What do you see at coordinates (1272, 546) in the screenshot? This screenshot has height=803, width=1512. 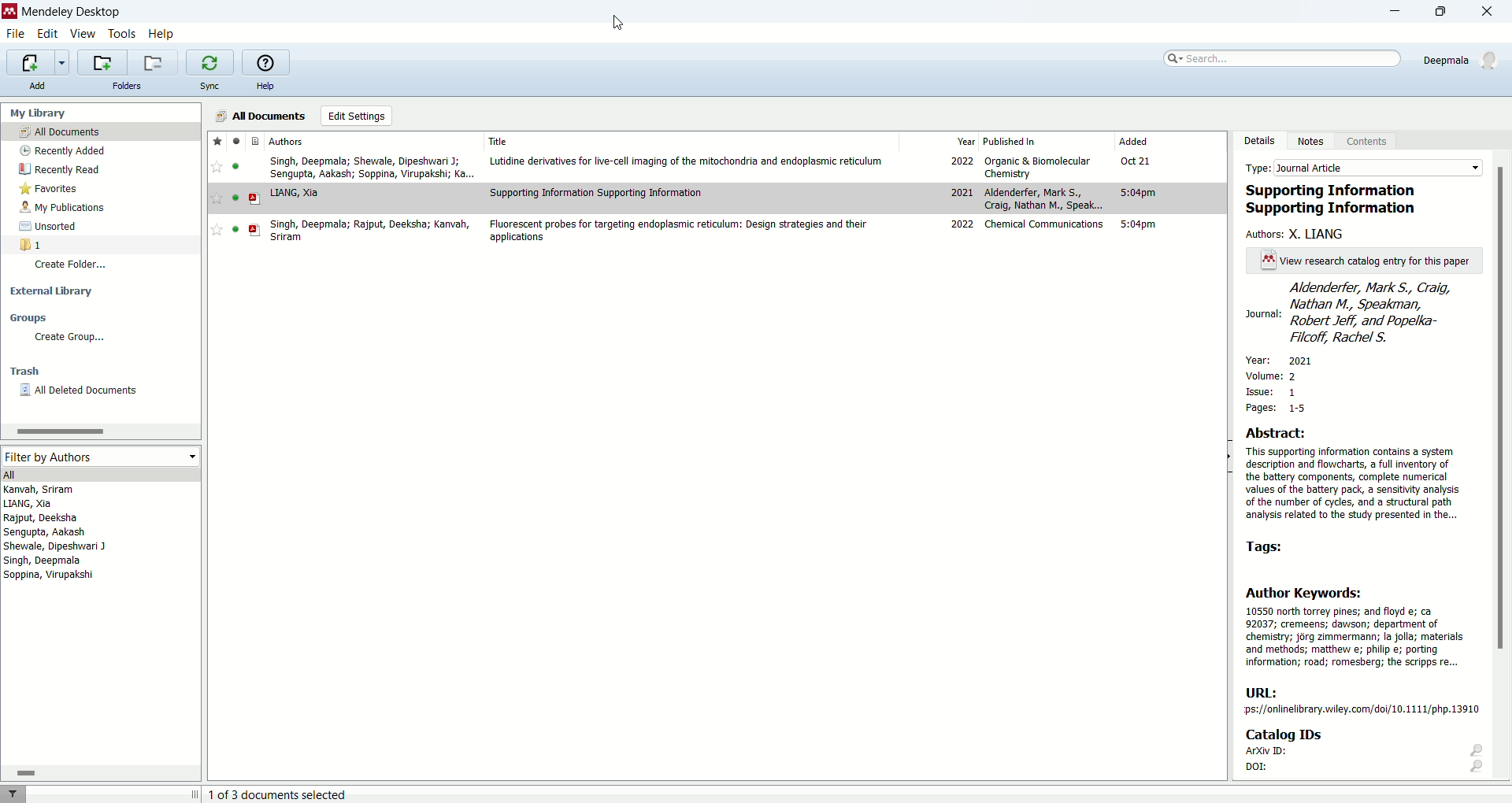 I see `tags: ` at bounding box center [1272, 546].